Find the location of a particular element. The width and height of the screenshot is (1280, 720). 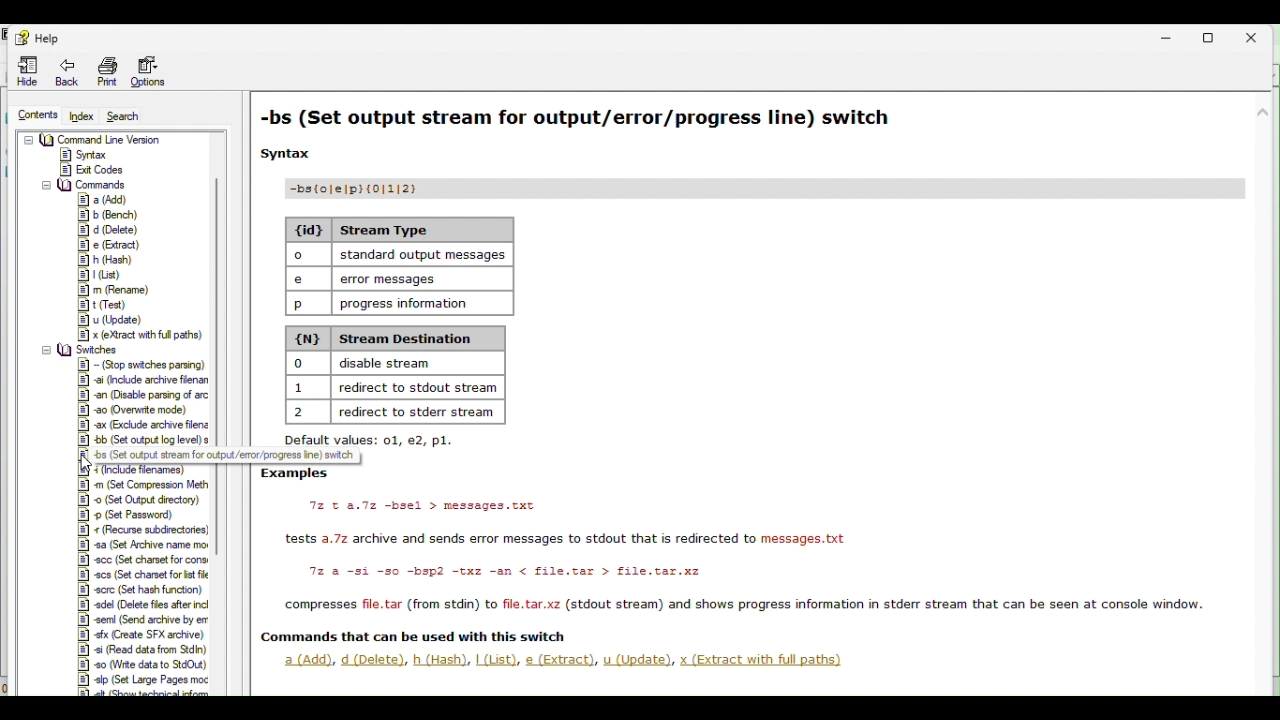

e (Extract), is located at coordinates (561, 659).